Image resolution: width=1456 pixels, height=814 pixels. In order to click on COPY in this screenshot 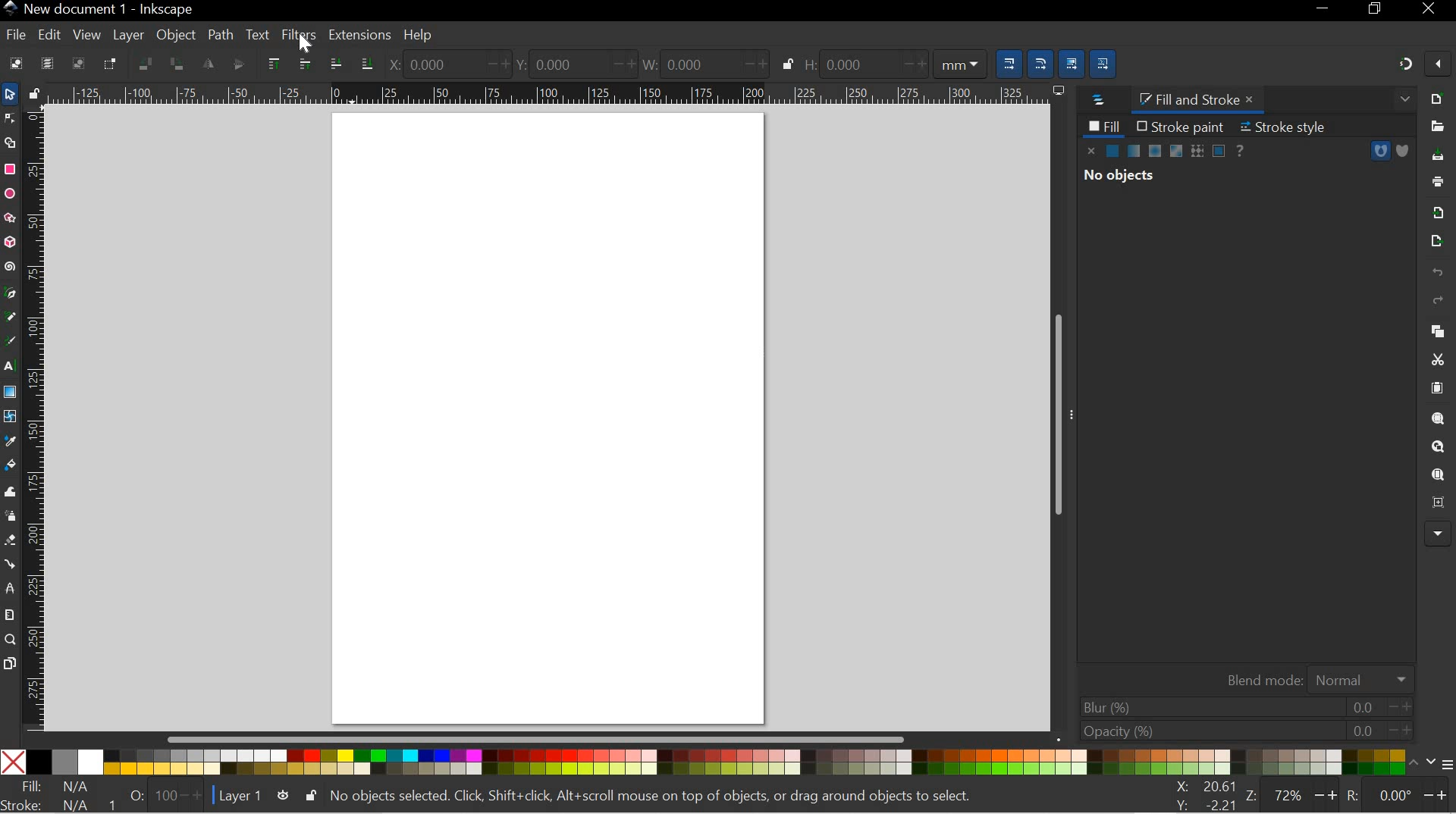, I will do `click(1435, 329)`.